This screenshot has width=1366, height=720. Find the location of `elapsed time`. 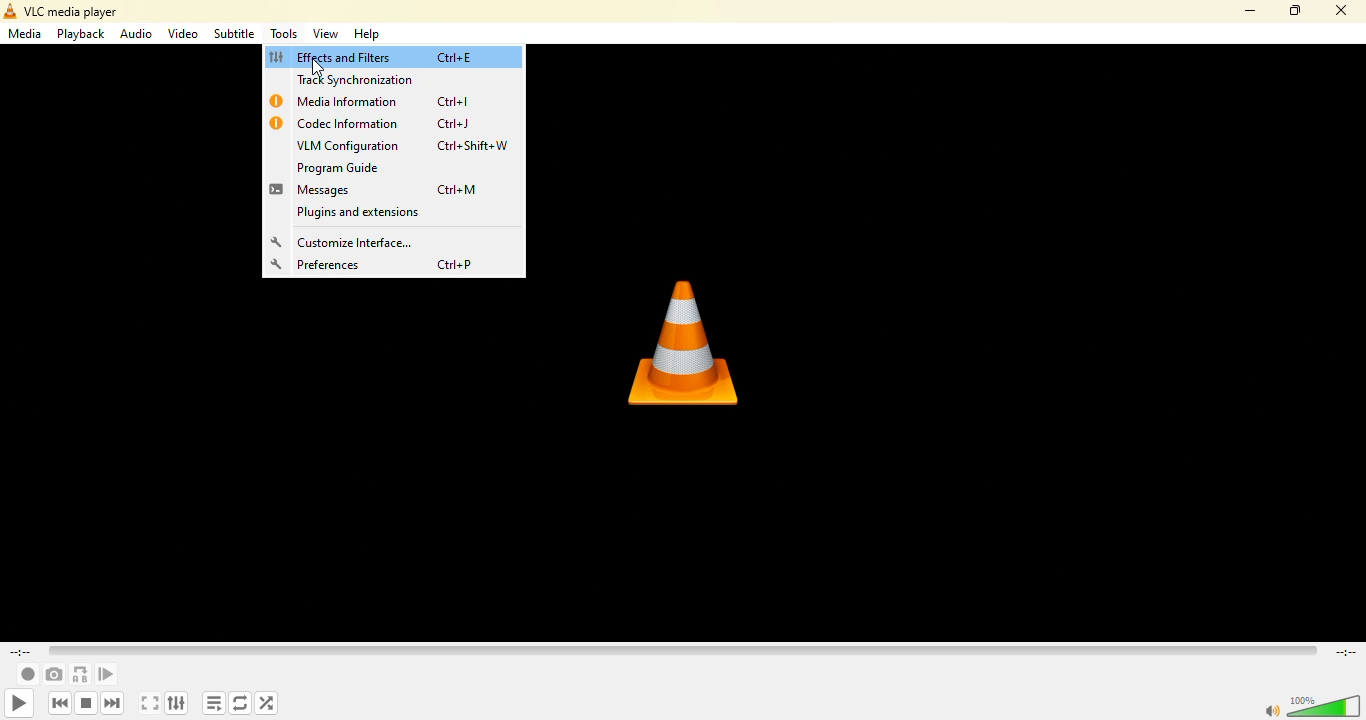

elapsed time is located at coordinates (24, 651).